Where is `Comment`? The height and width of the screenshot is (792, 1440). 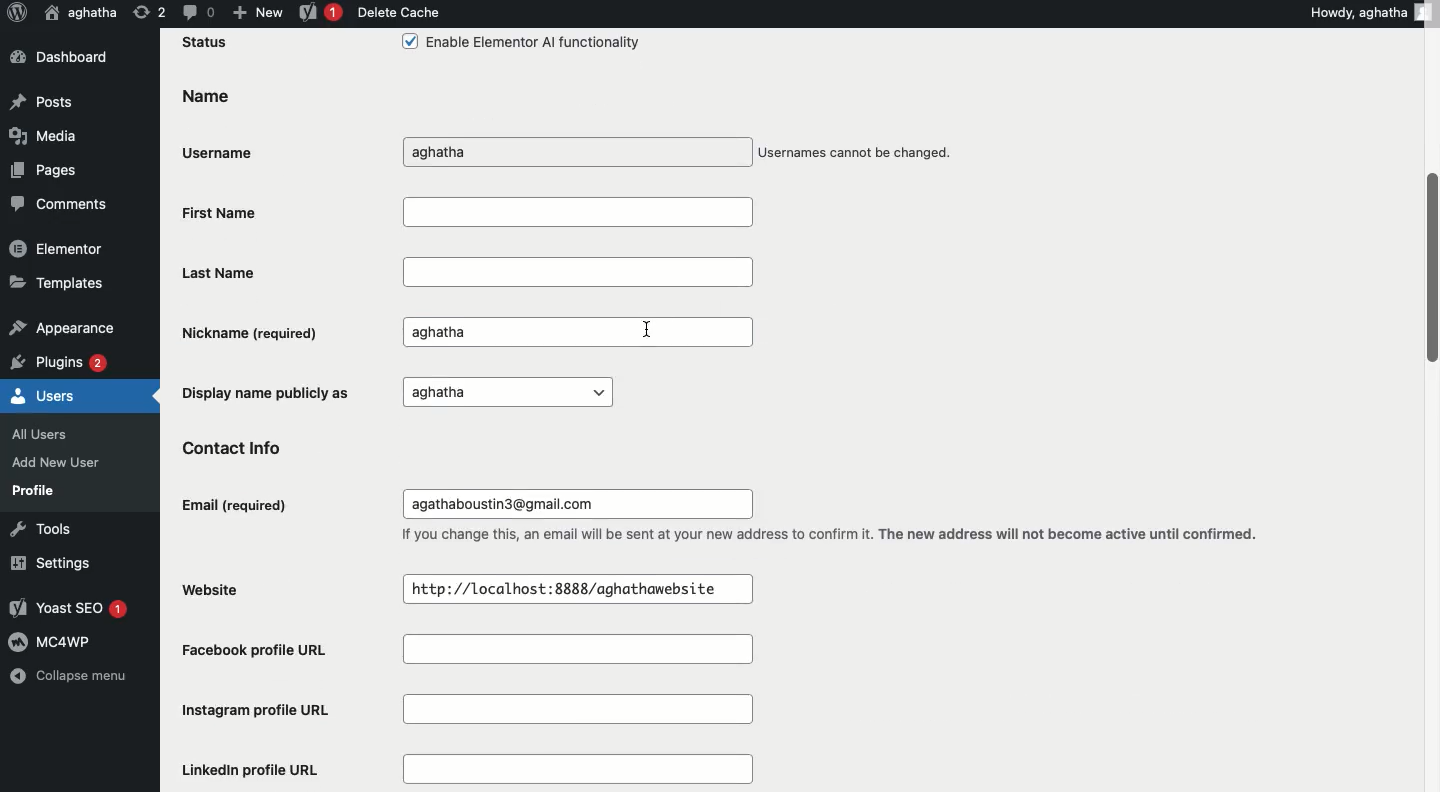
Comment is located at coordinates (197, 11).